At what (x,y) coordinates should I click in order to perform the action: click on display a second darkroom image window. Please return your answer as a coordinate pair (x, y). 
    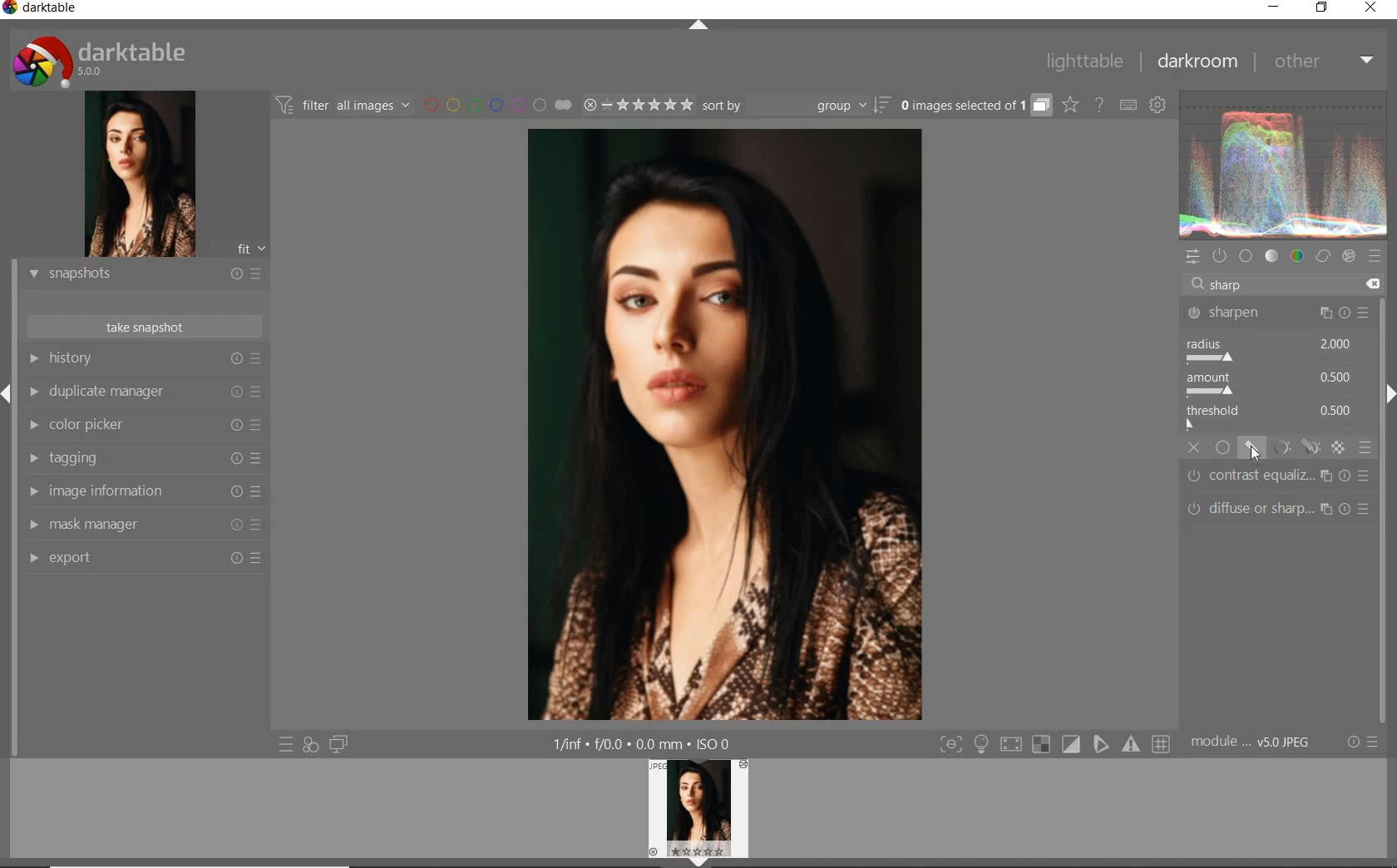
    Looking at the image, I should click on (339, 743).